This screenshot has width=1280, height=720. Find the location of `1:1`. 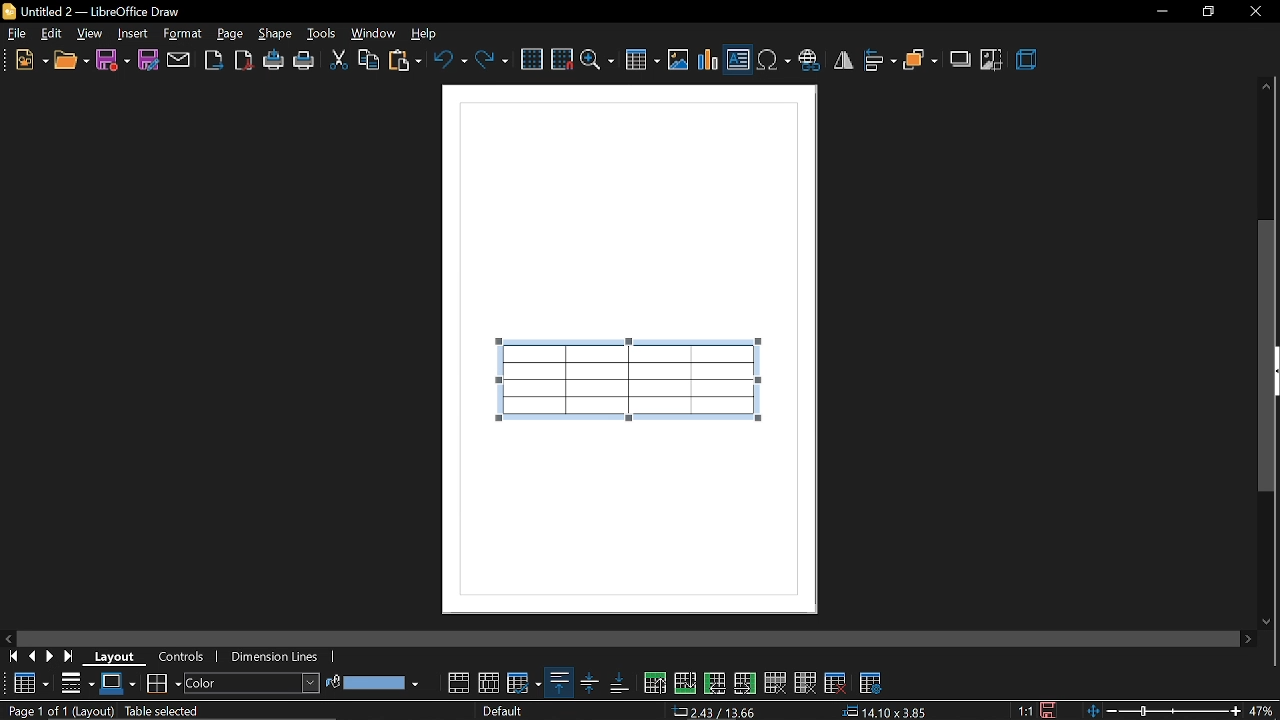

1:1 is located at coordinates (1024, 711).